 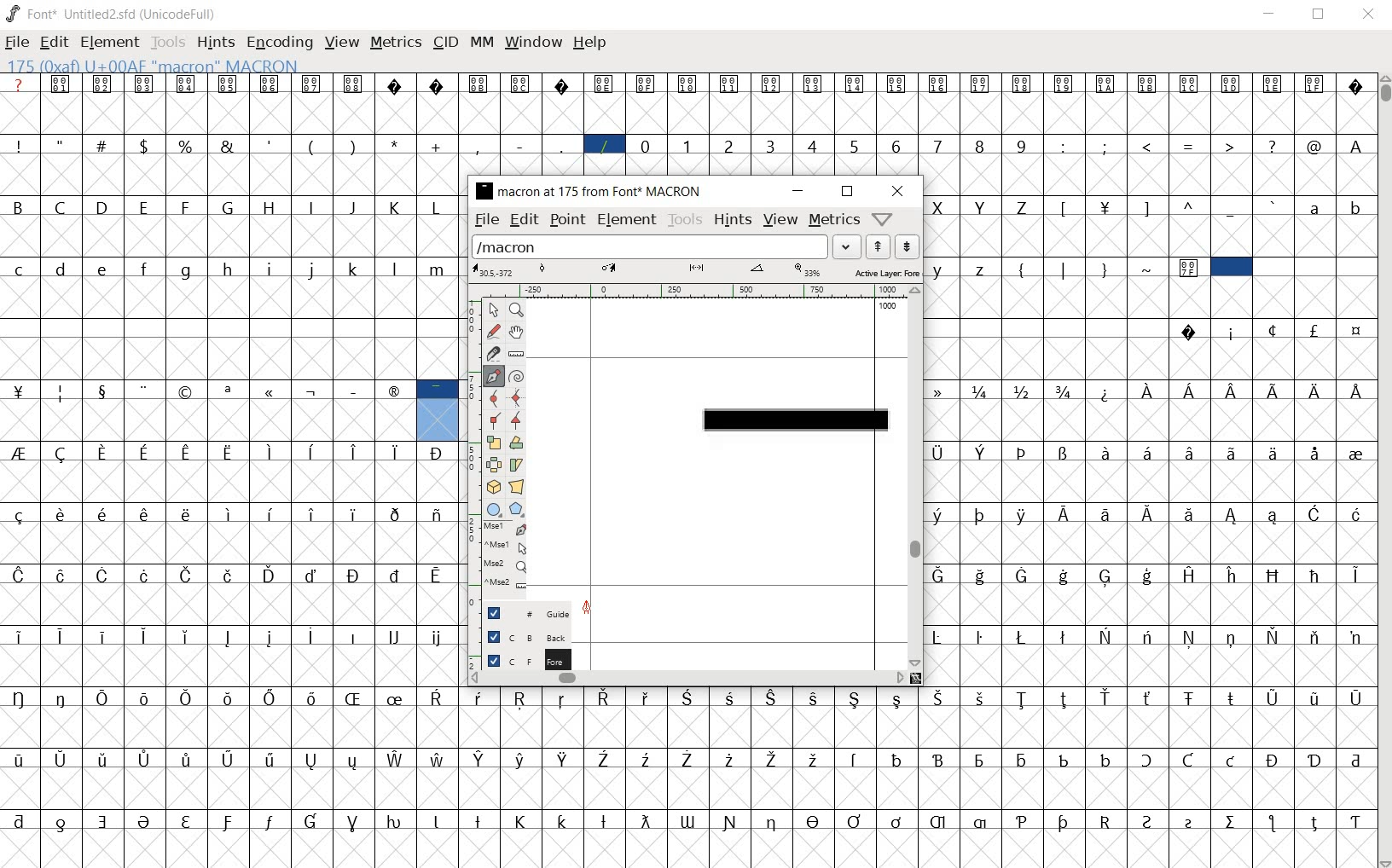 What do you see at coordinates (315, 759) in the screenshot?
I see `Symbol` at bounding box center [315, 759].